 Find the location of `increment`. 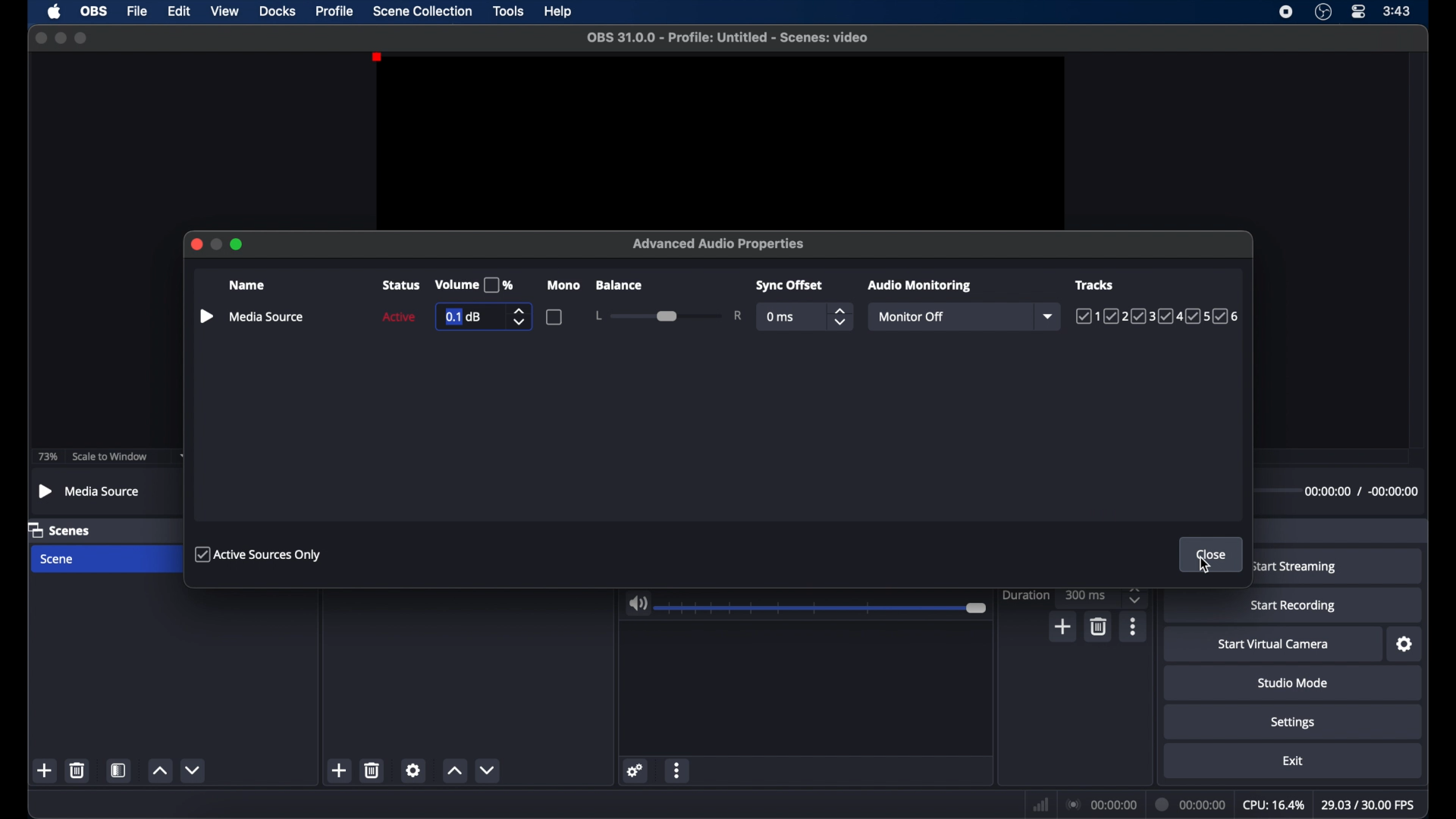

increment is located at coordinates (454, 771).